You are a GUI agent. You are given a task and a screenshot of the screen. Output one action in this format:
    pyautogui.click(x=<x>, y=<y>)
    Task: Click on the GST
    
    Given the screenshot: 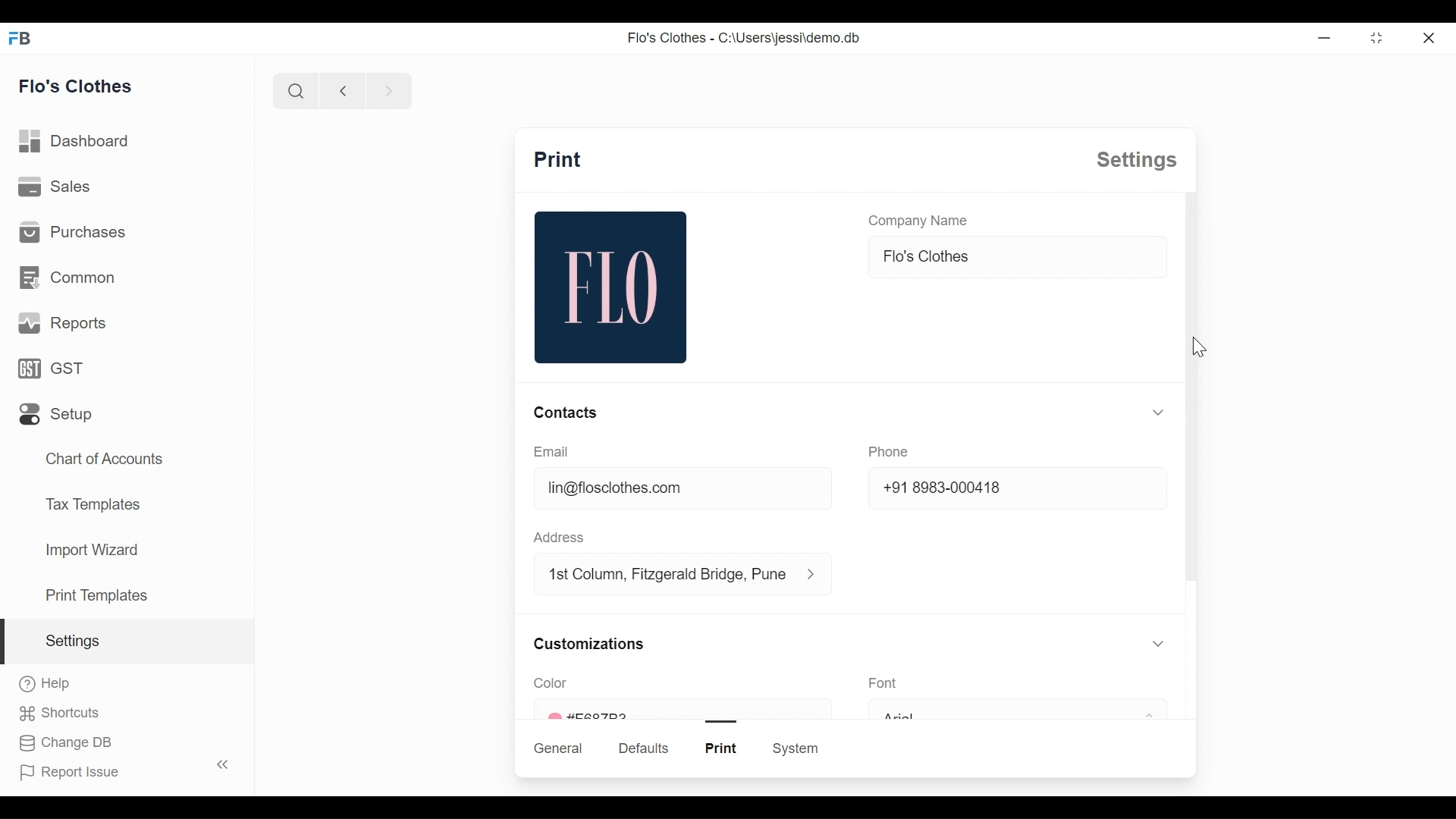 What is the action you would take?
    pyautogui.click(x=50, y=368)
    